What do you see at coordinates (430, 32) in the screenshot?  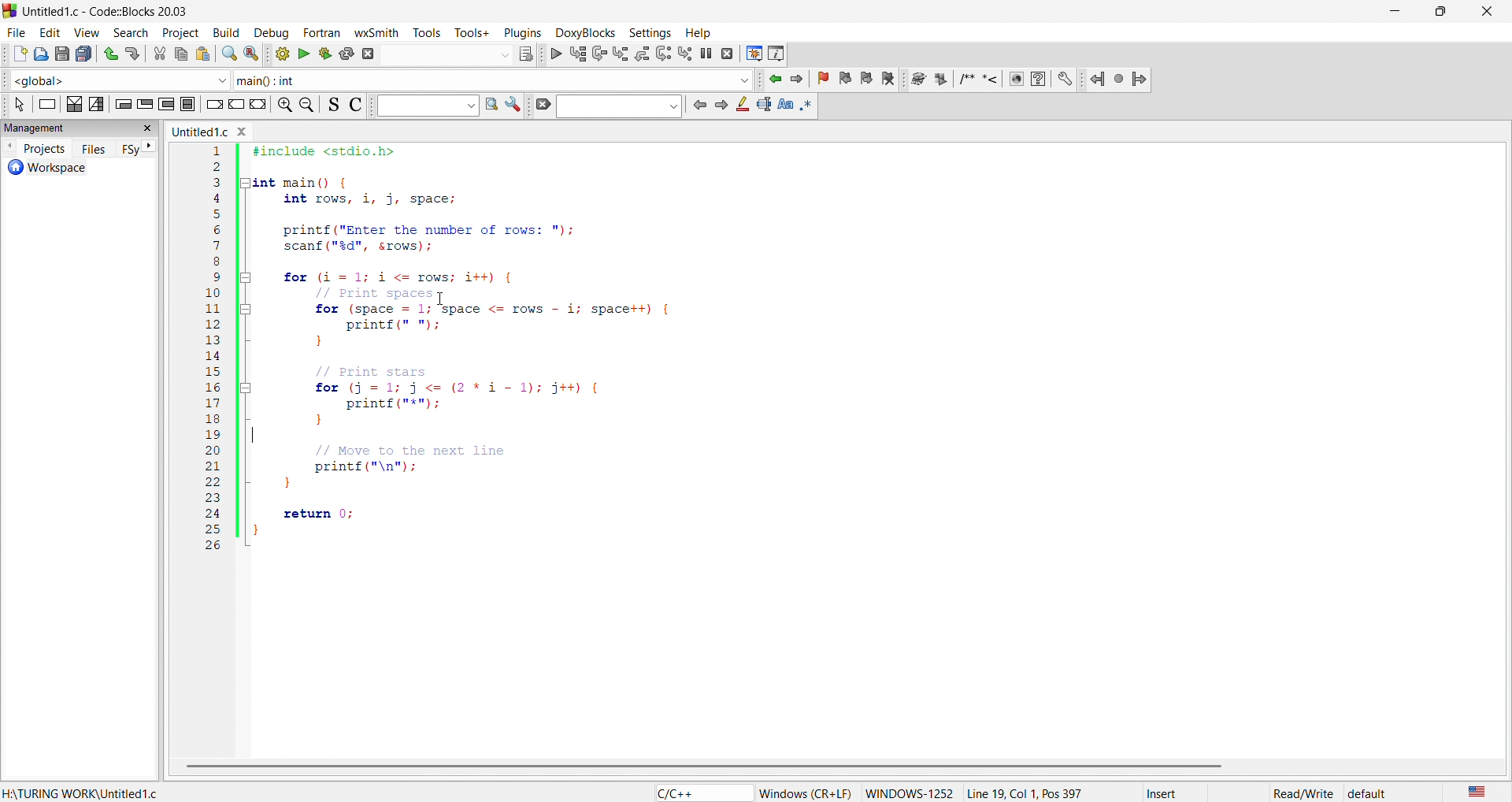 I see `tools` at bounding box center [430, 32].